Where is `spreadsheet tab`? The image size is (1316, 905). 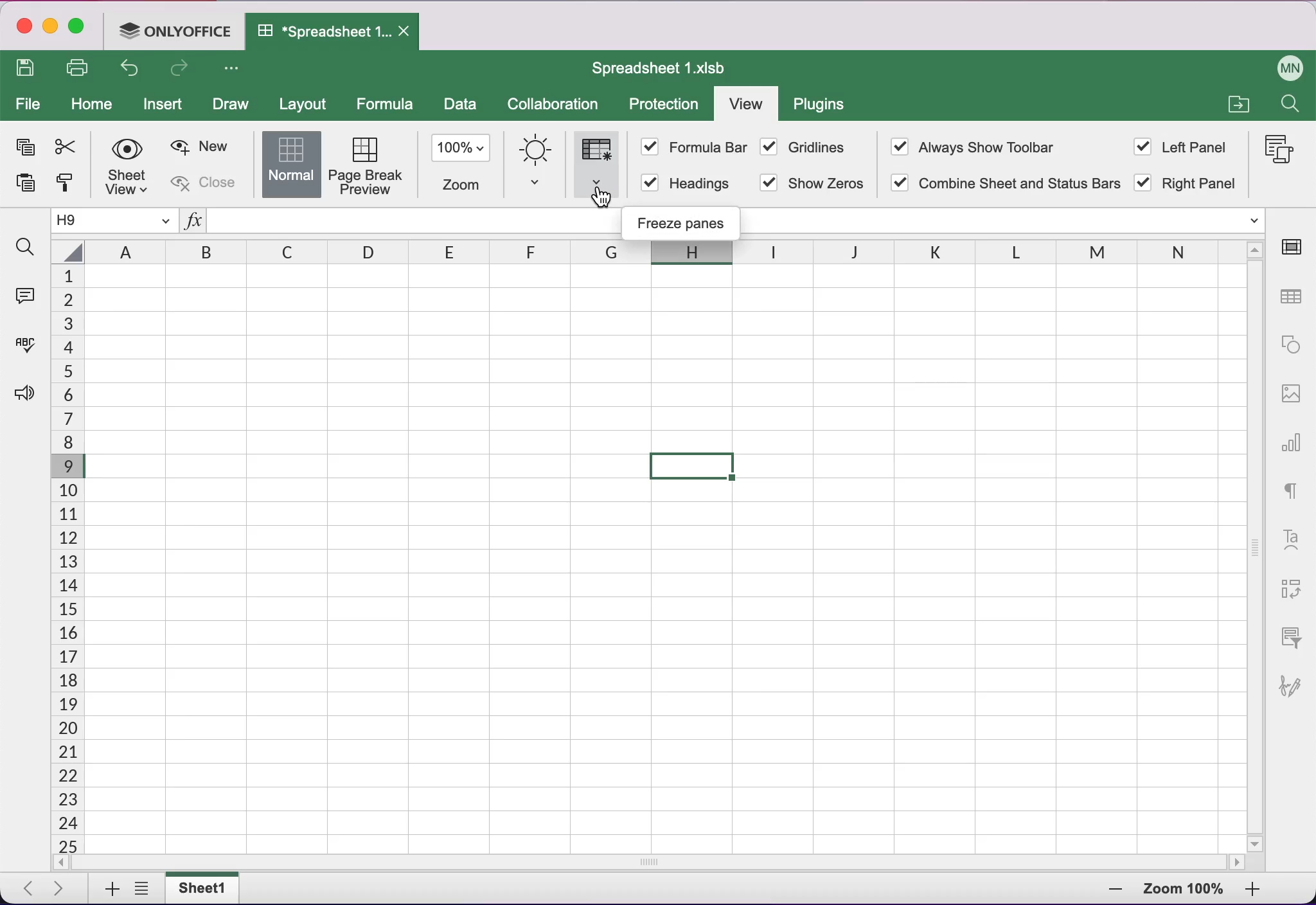
spreadsheet tab is located at coordinates (334, 32).